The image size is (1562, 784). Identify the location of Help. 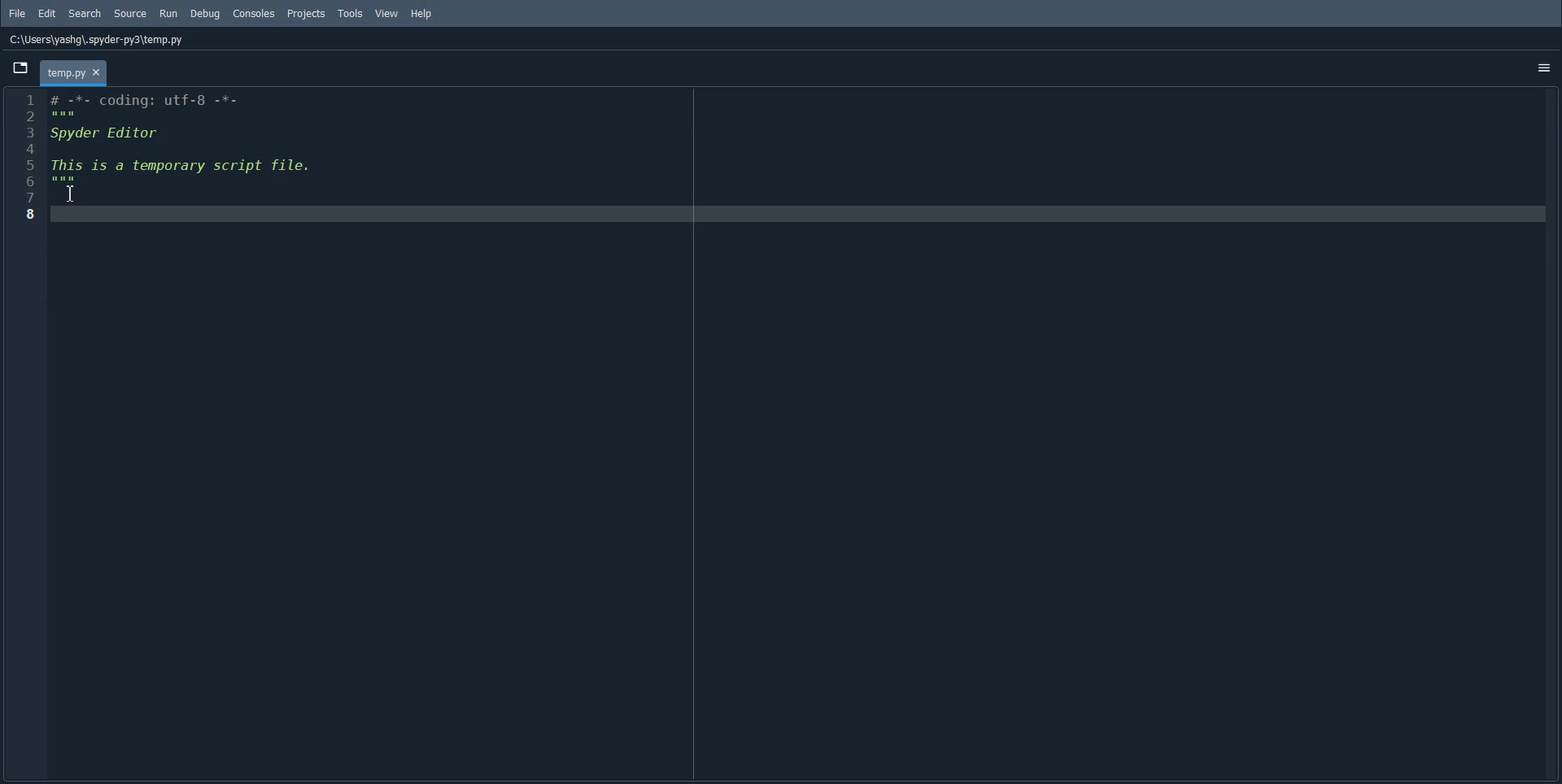
(421, 13).